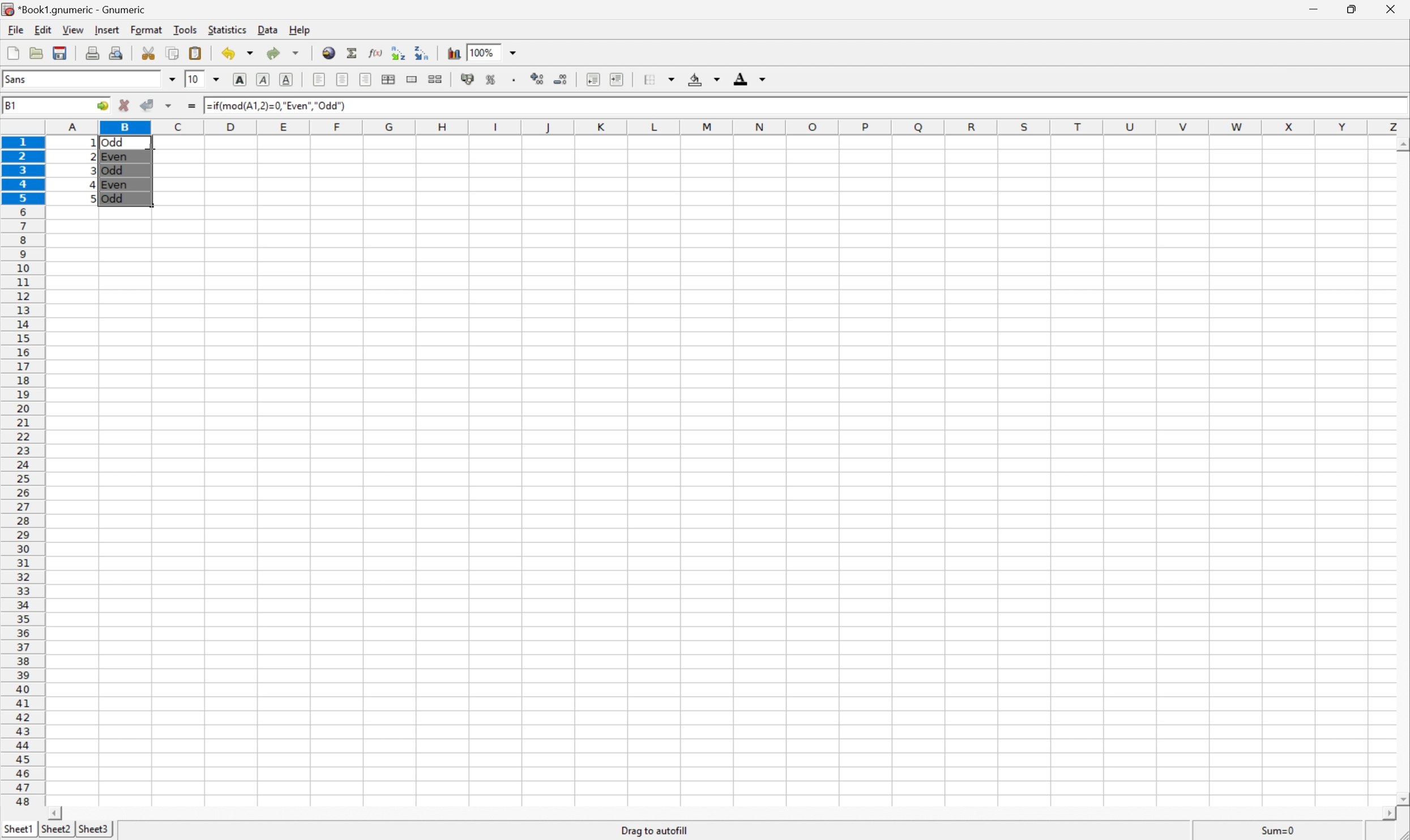  What do you see at coordinates (490, 80) in the screenshot?
I see `Format selection as percentage` at bounding box center [490, 80].